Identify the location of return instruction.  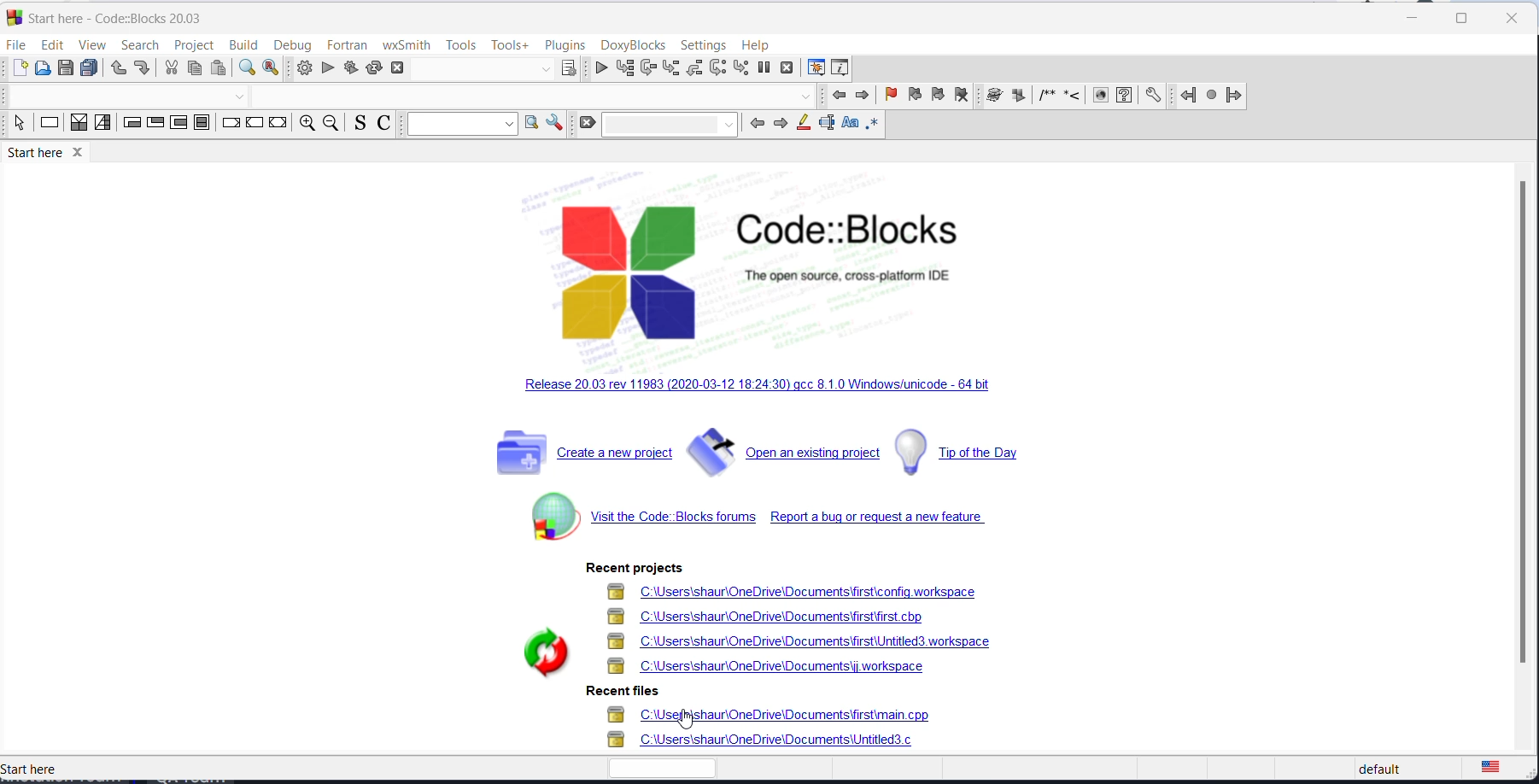
(277, 124).